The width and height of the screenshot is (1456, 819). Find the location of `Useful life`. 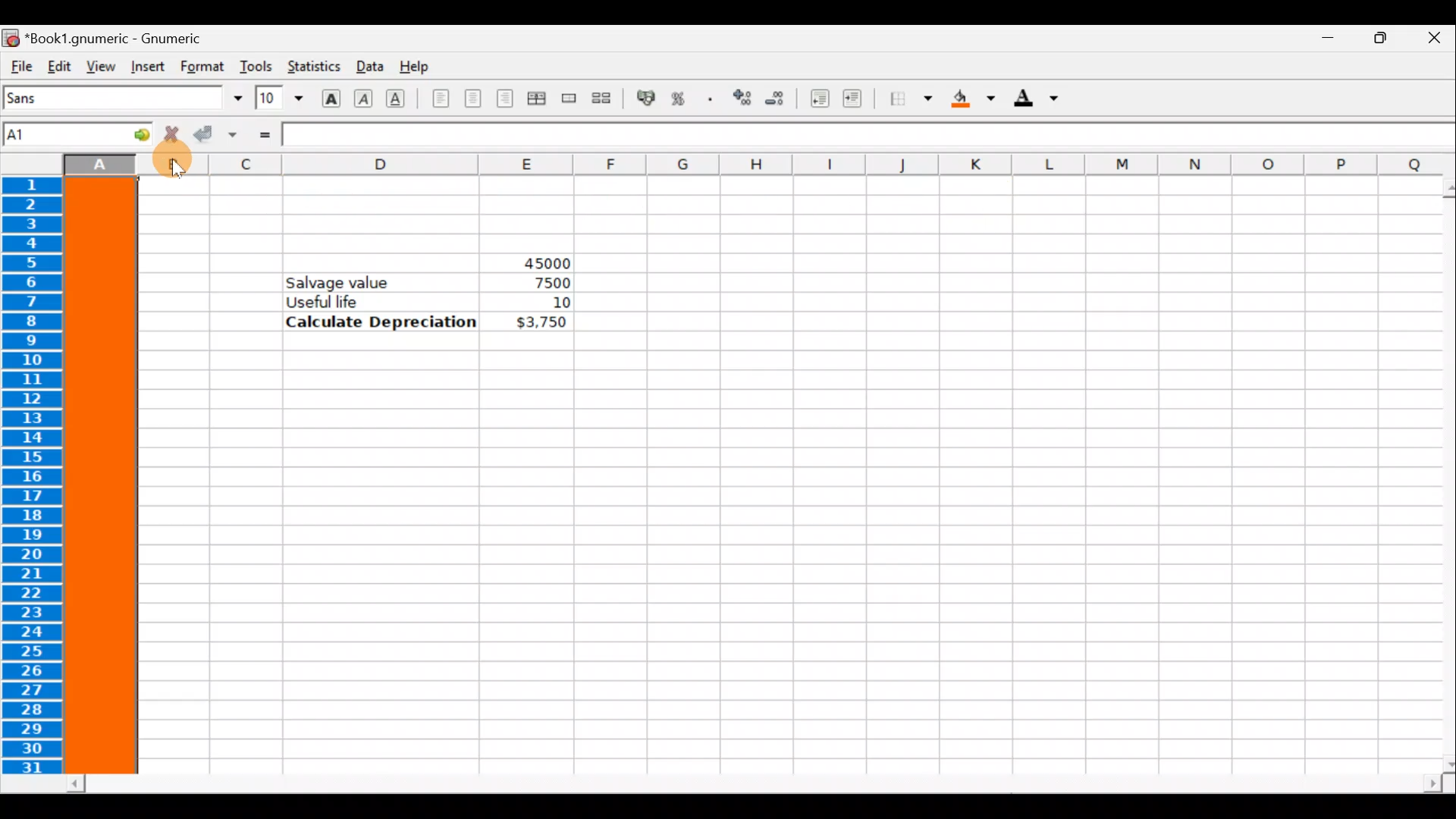

Useful life is located at coordinates (384, 301).